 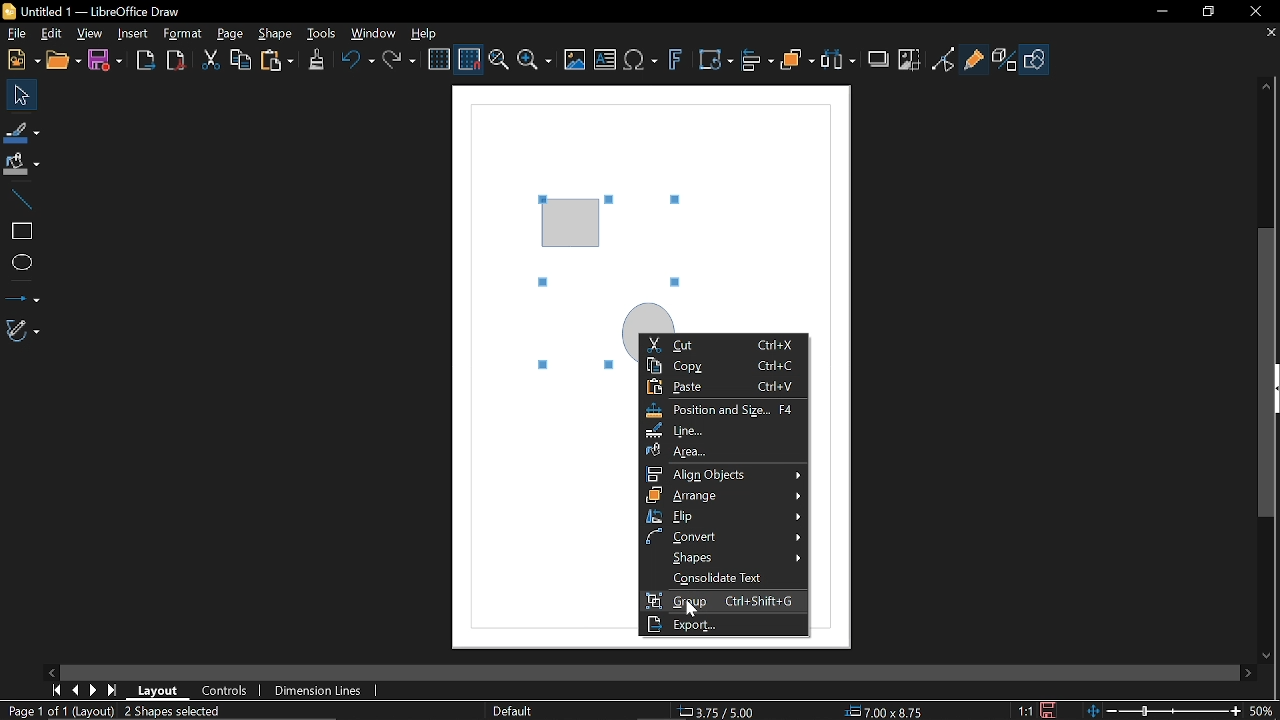 What do you see at coordinates (1261, 370) in the screenshot?
I see `vertical scroll` at bounding box center [1261, 370].